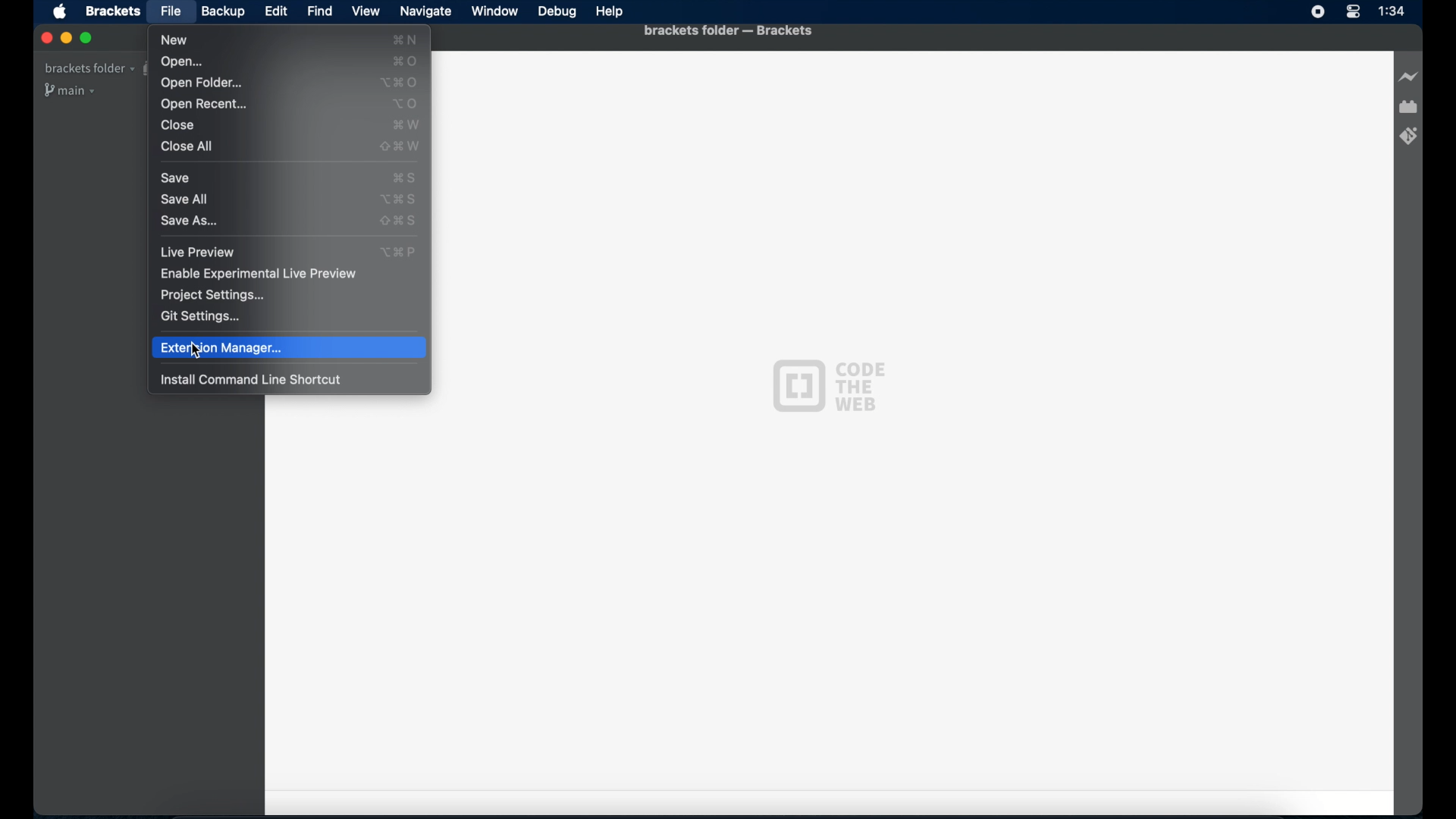  What do you see at coordinates (174, 13) in the screenshot?
I see `File selected` at bounding box center [174, 13].